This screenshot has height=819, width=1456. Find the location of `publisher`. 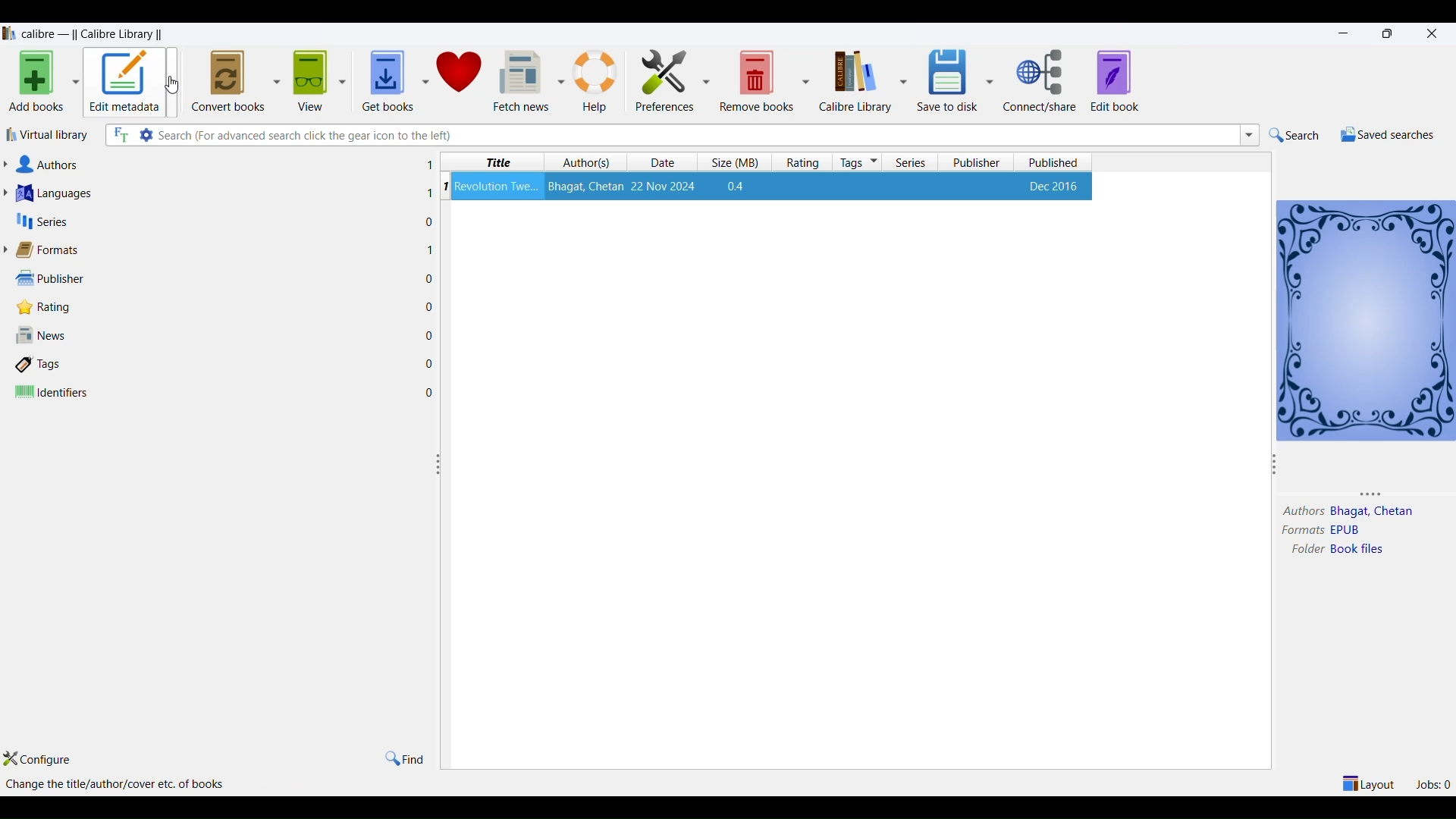

publisher is located at coordinates (46, 278).